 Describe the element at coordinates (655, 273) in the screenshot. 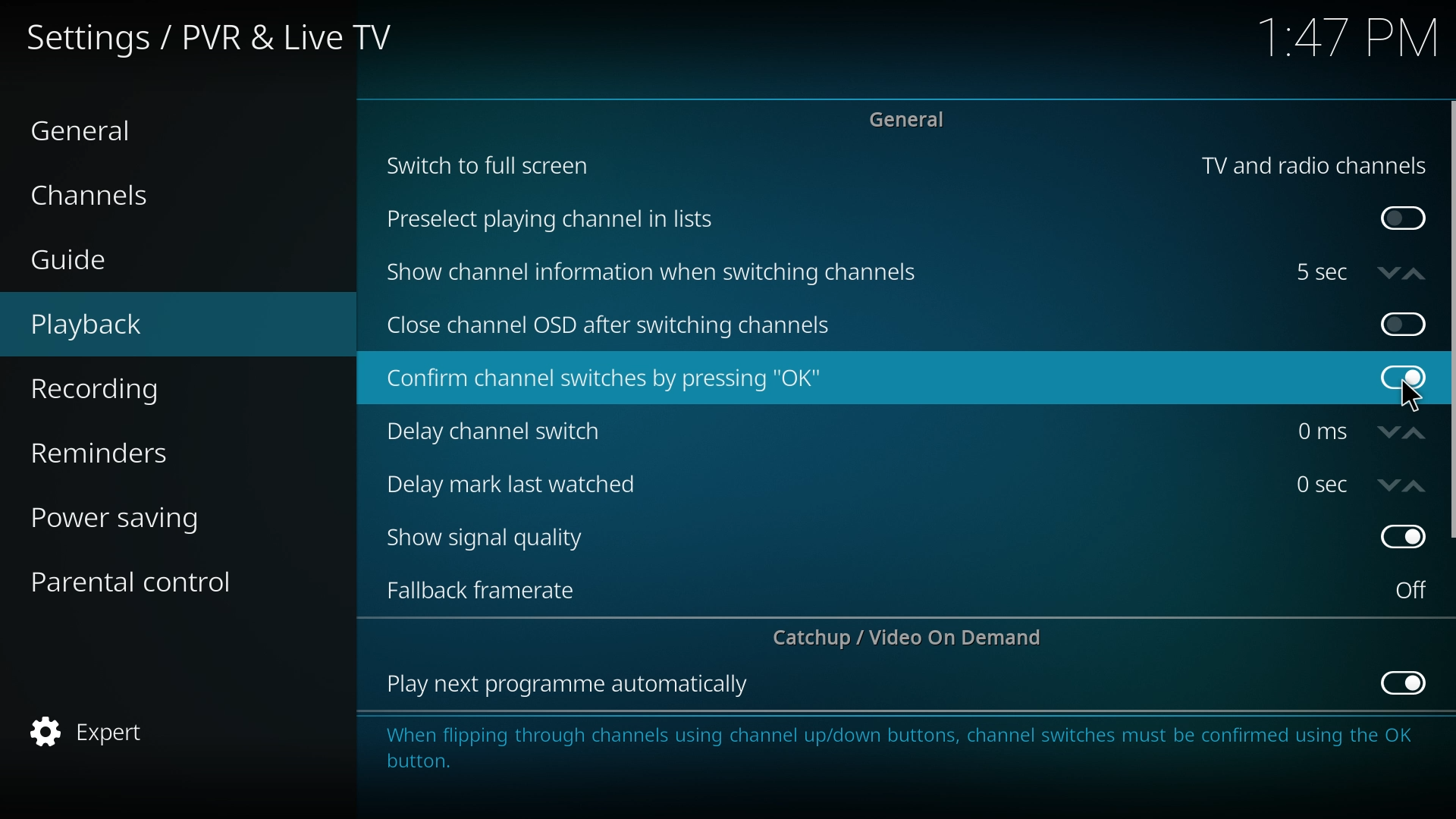

I see `show channel info when switching channels` at that location.